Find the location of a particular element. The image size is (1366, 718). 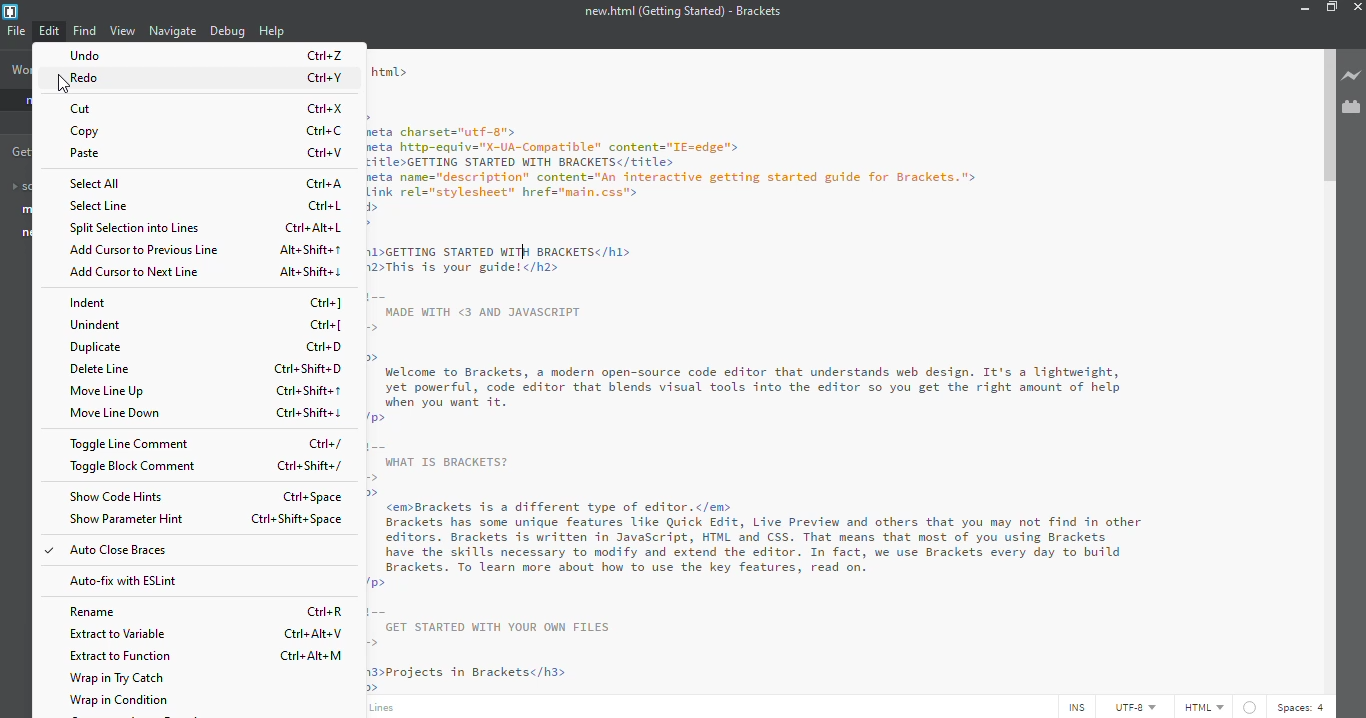

copy is located at coordinates (90, 131).